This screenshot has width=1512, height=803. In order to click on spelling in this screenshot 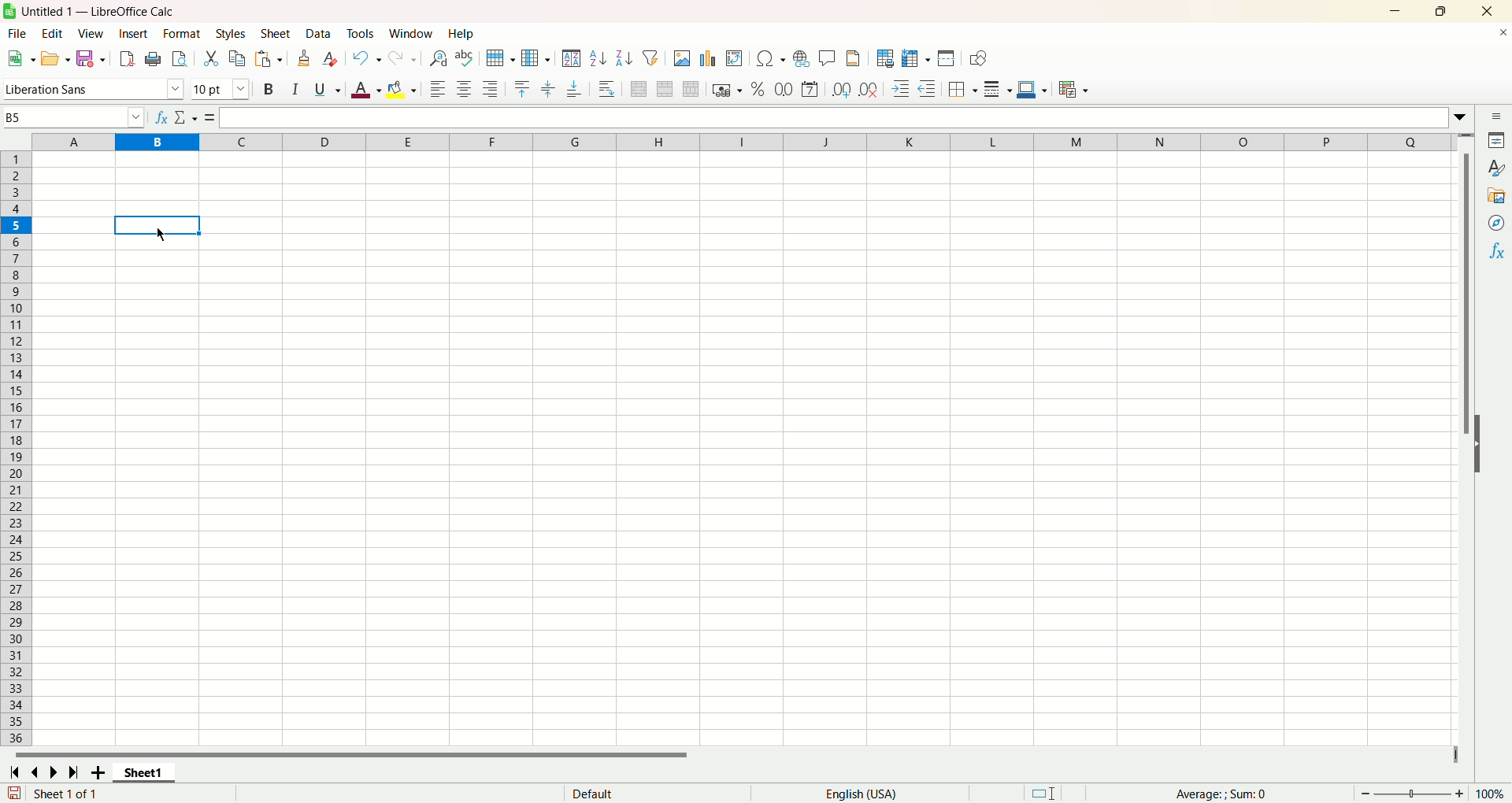, I will do `click(464, 58)`.